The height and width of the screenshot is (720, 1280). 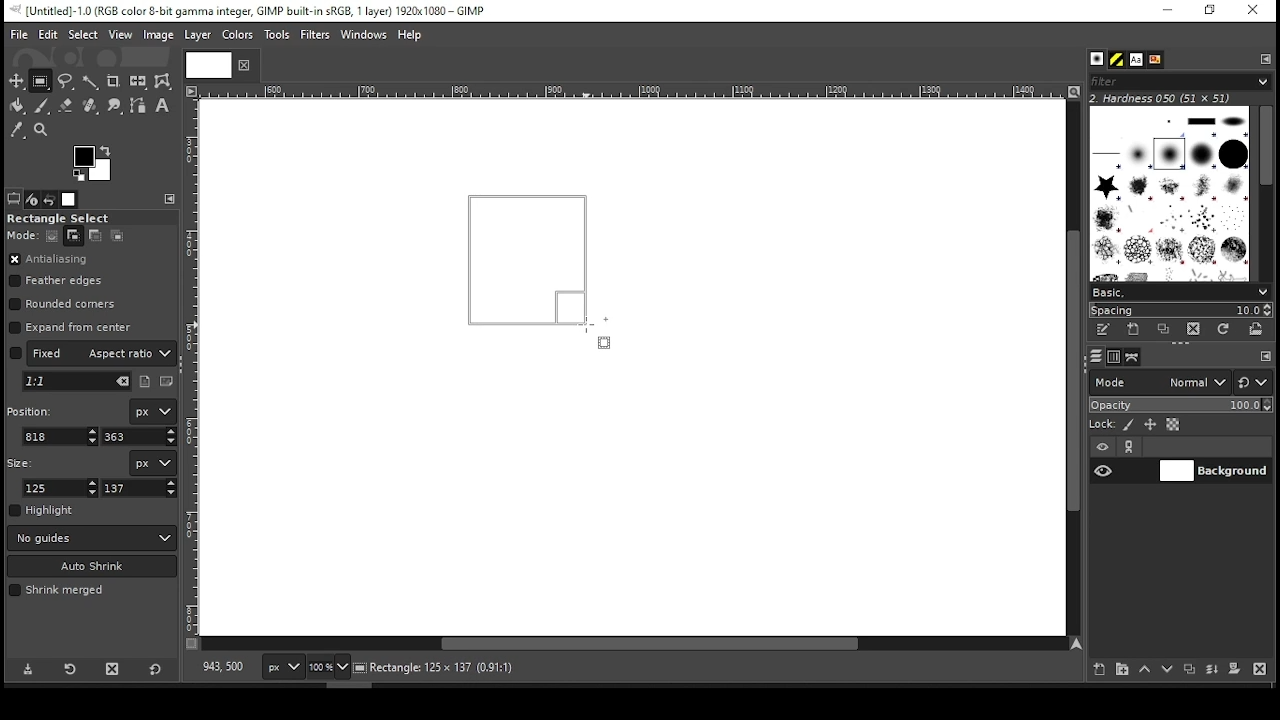 I want to click on device status, so click(x=32, y=199).